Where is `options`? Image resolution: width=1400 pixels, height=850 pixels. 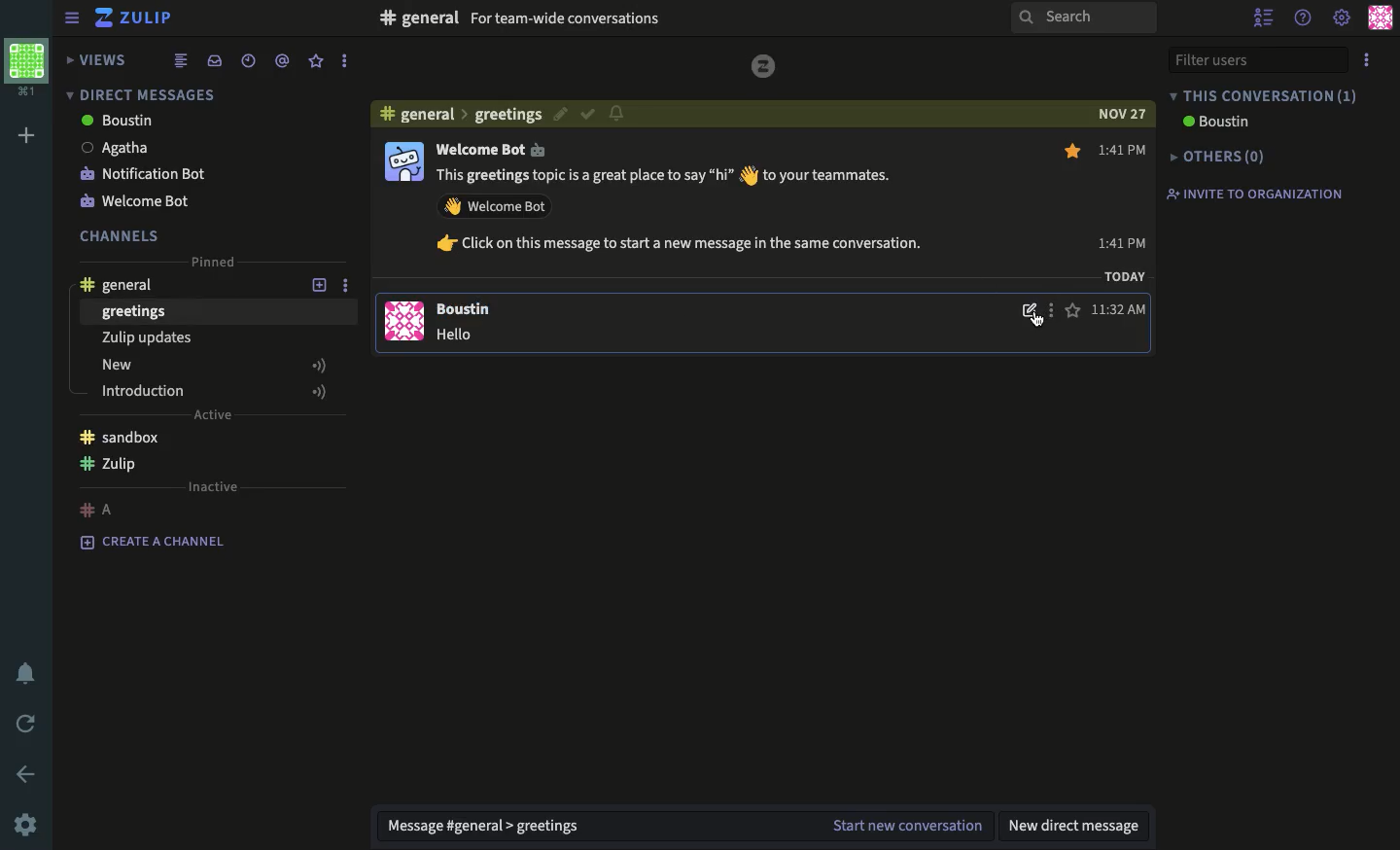 options is located at coordinates (352, 284).